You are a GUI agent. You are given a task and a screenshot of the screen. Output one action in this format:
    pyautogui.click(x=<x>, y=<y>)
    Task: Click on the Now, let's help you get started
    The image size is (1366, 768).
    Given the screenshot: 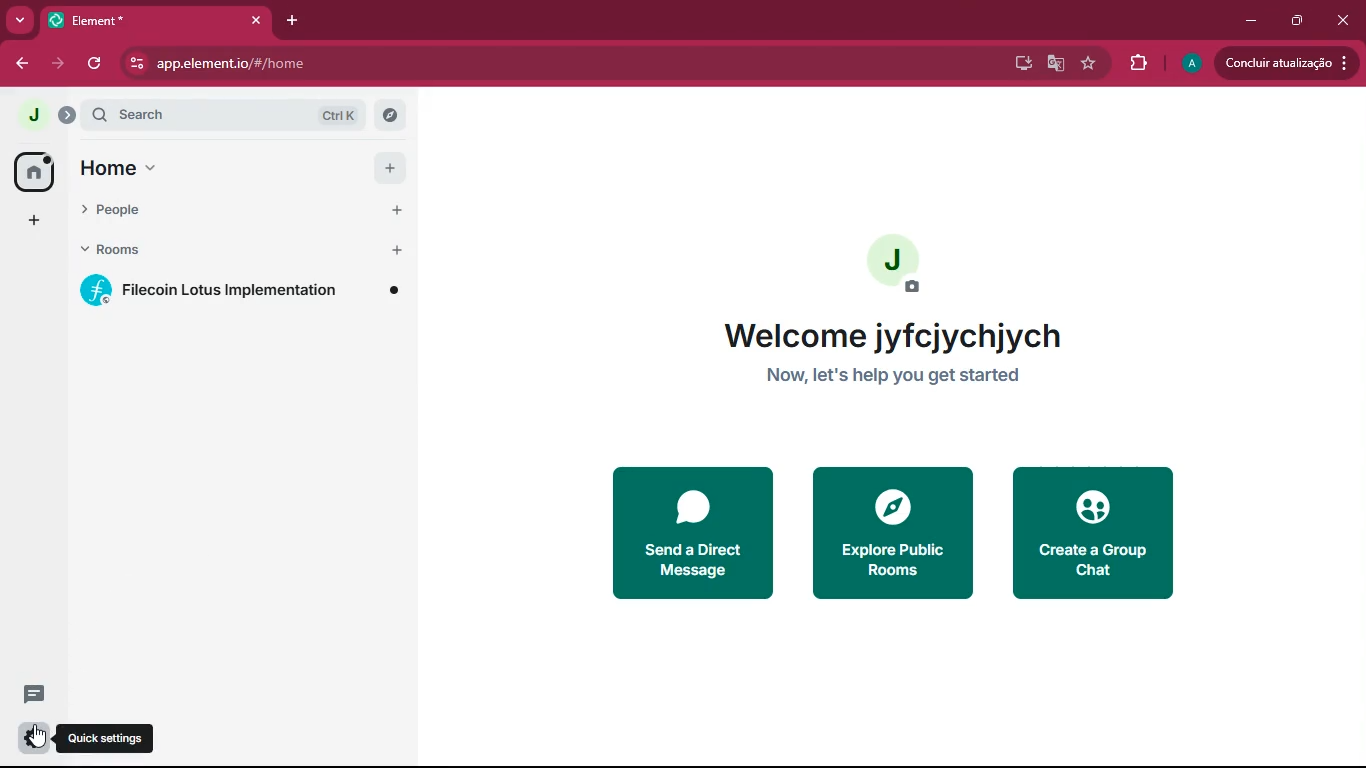 What is the action you would take?
    pyautogui.click(x=915, y=379)
    